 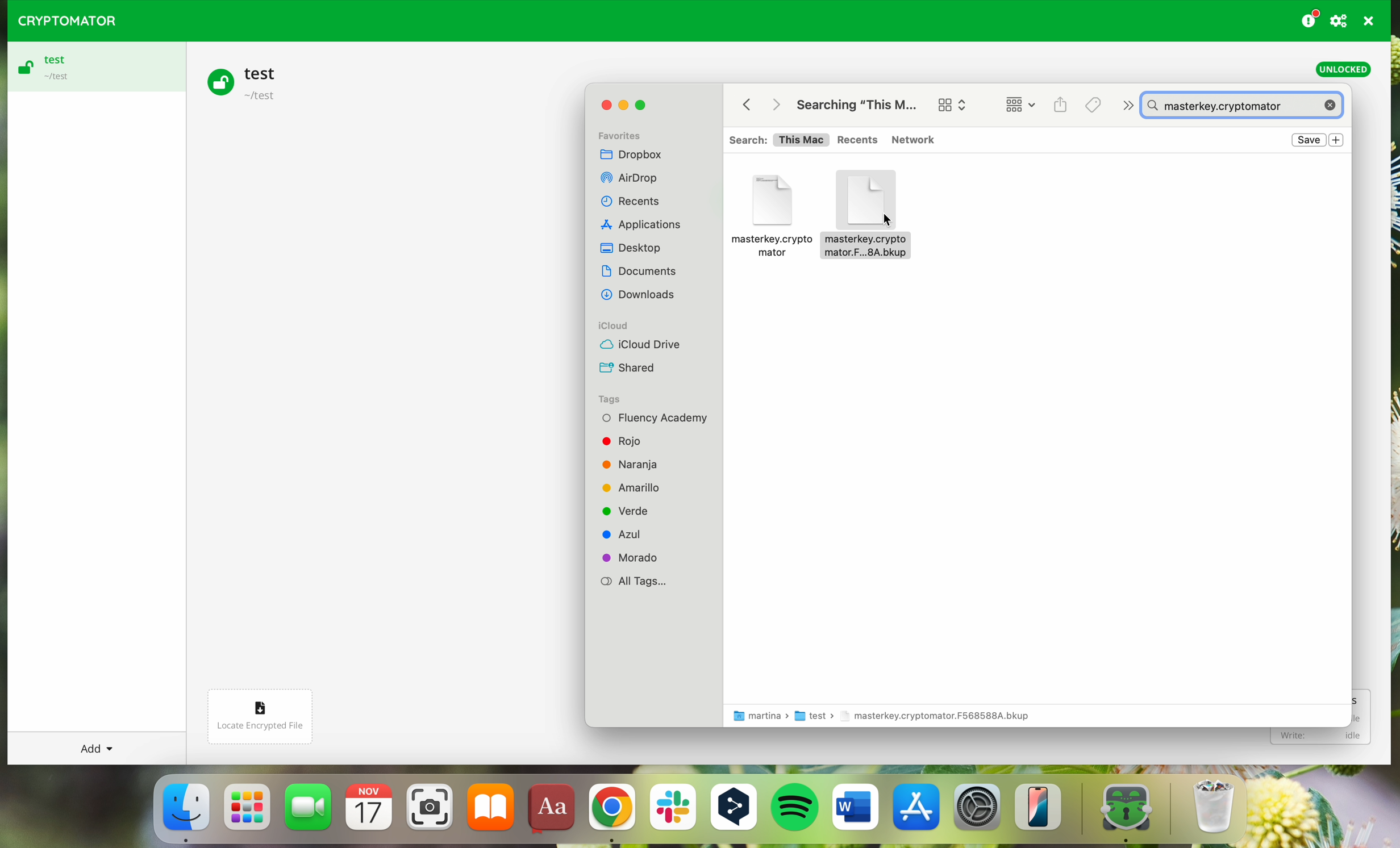 What do you see at coordinates (745, 139) in the screenshot?
I see `Search` at bounding box center [745, 139].